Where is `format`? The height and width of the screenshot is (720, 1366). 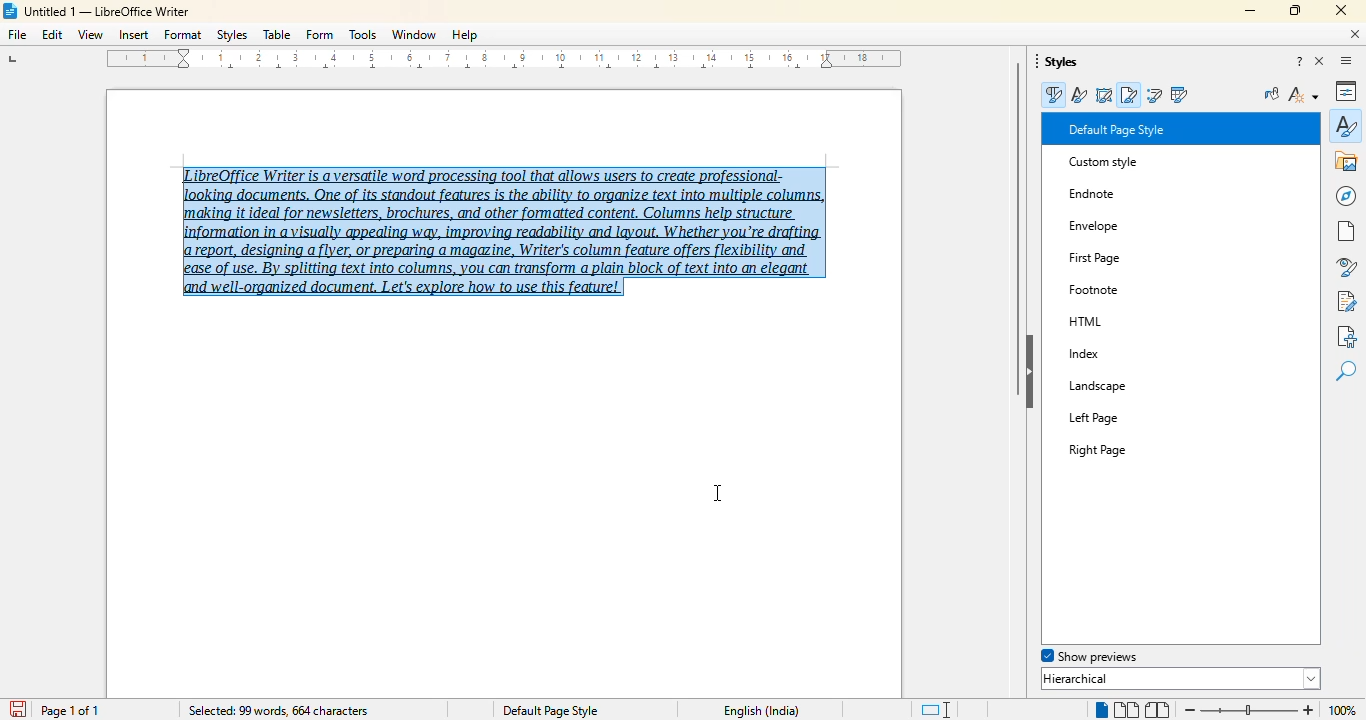 format is located at coordinates (183, 34).